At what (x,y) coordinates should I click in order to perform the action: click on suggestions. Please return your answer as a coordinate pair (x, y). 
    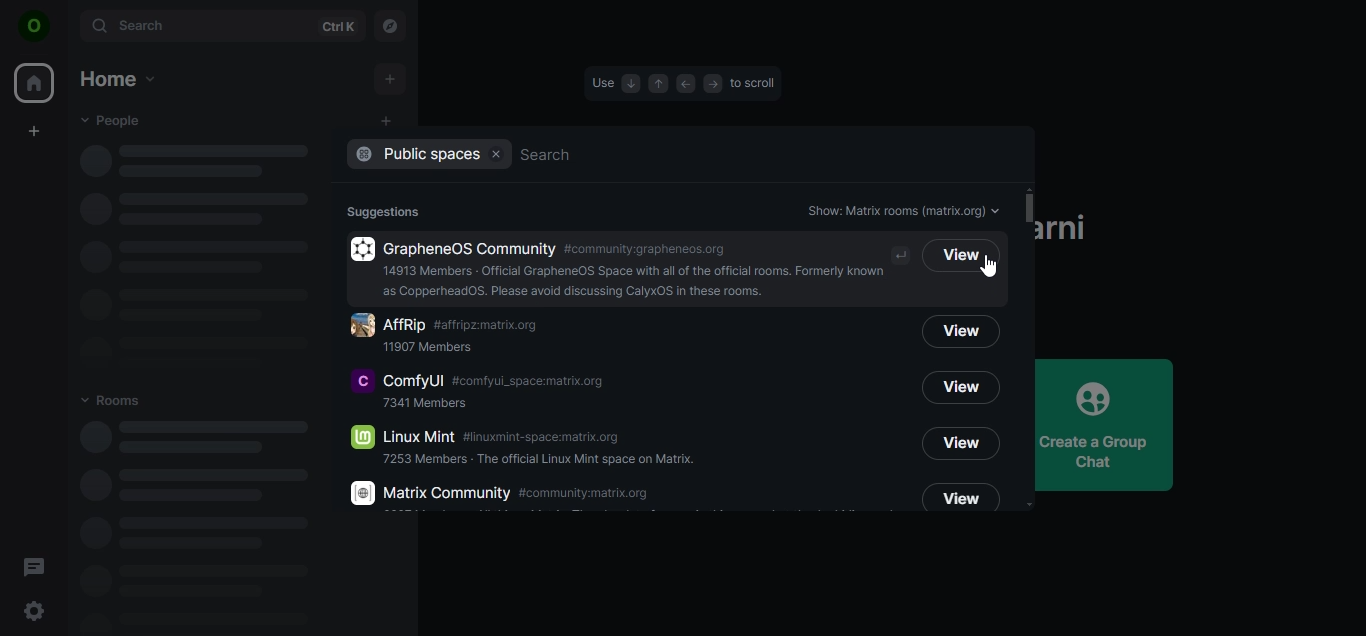
    Looking at the image, I should click on (390, 210).